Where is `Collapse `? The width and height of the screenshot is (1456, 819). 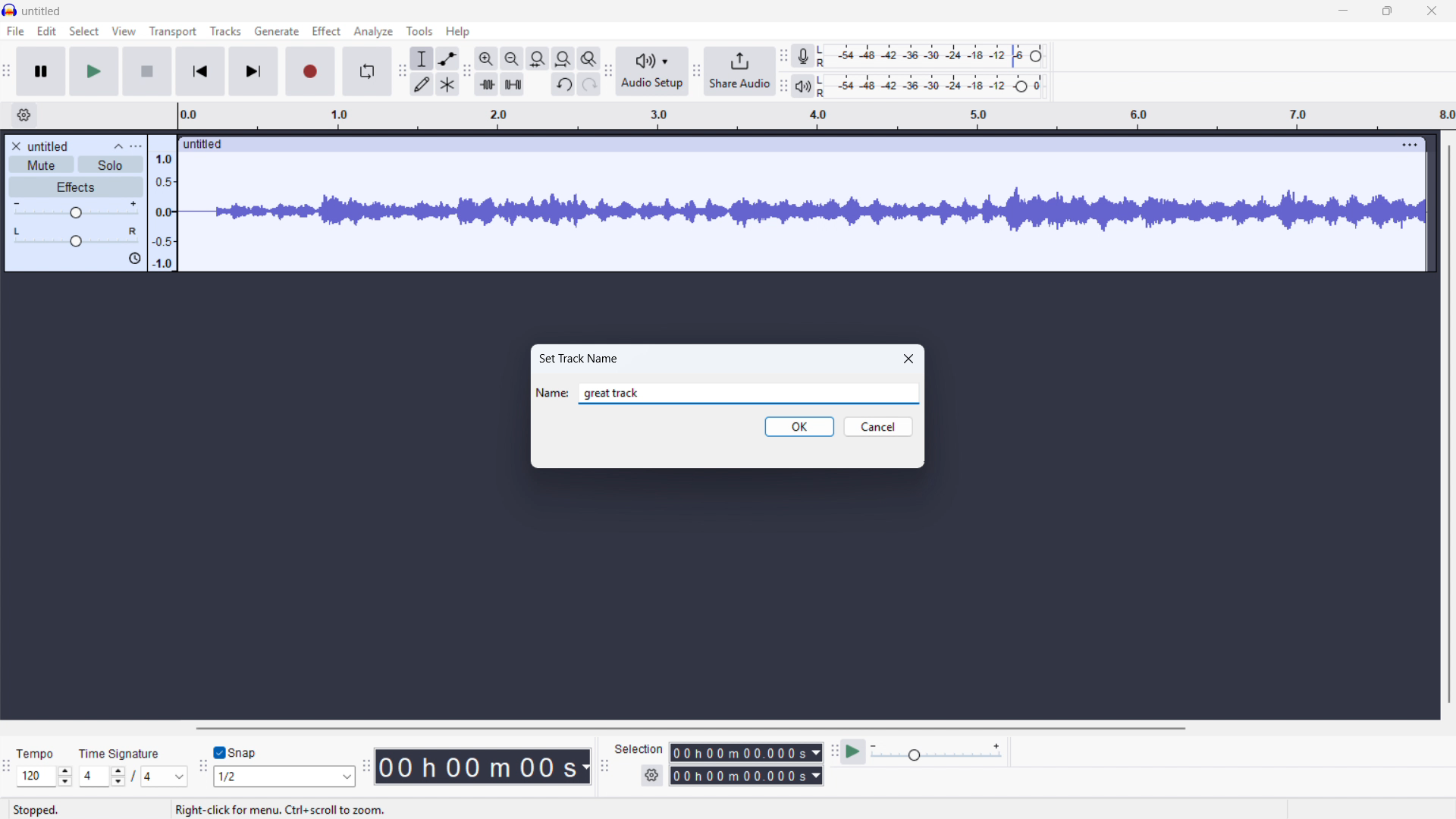
Collapse  is located at coordinates (117, 146).